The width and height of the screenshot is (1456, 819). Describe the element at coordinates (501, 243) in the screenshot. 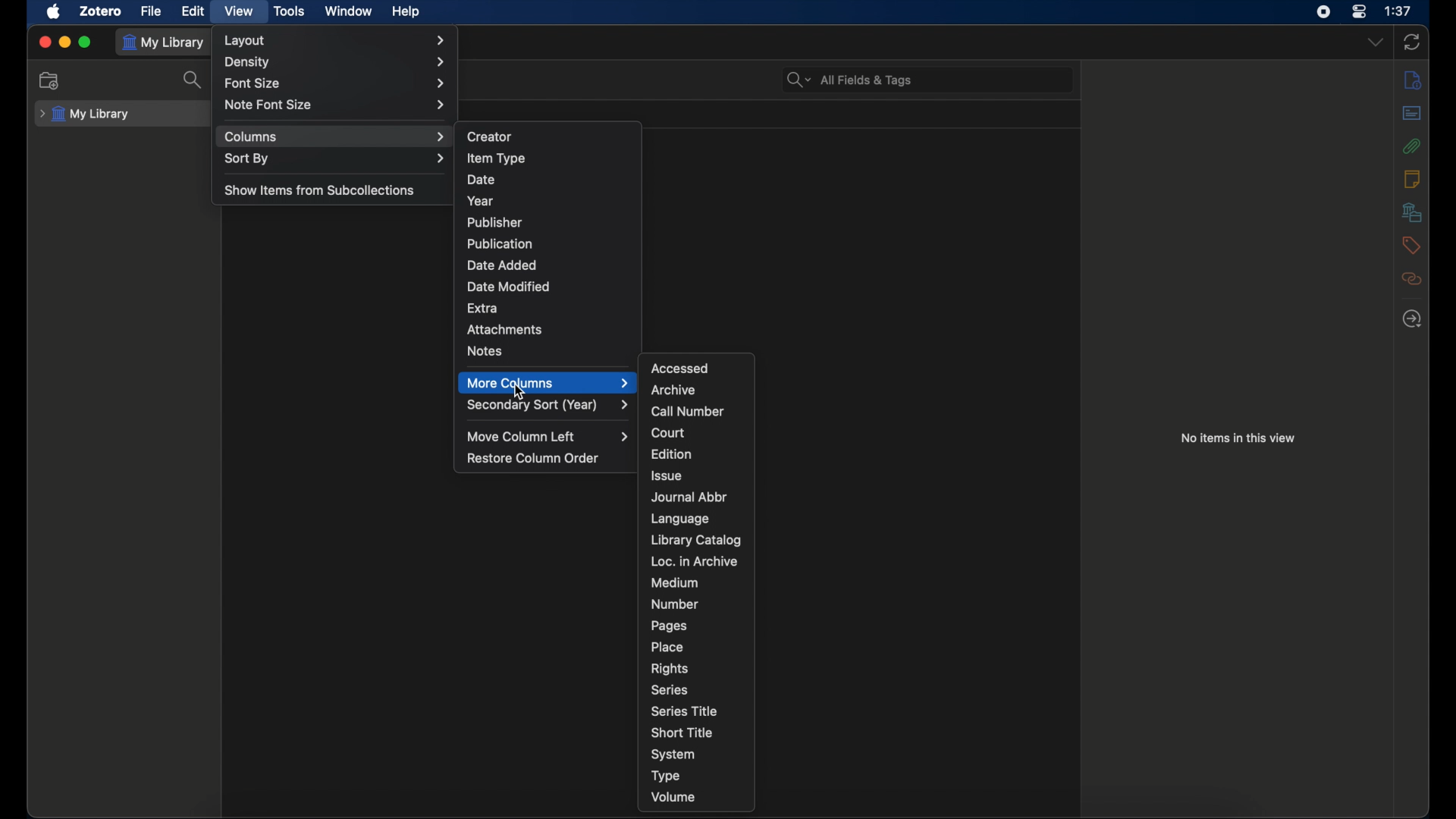

I see `publication` at that location.